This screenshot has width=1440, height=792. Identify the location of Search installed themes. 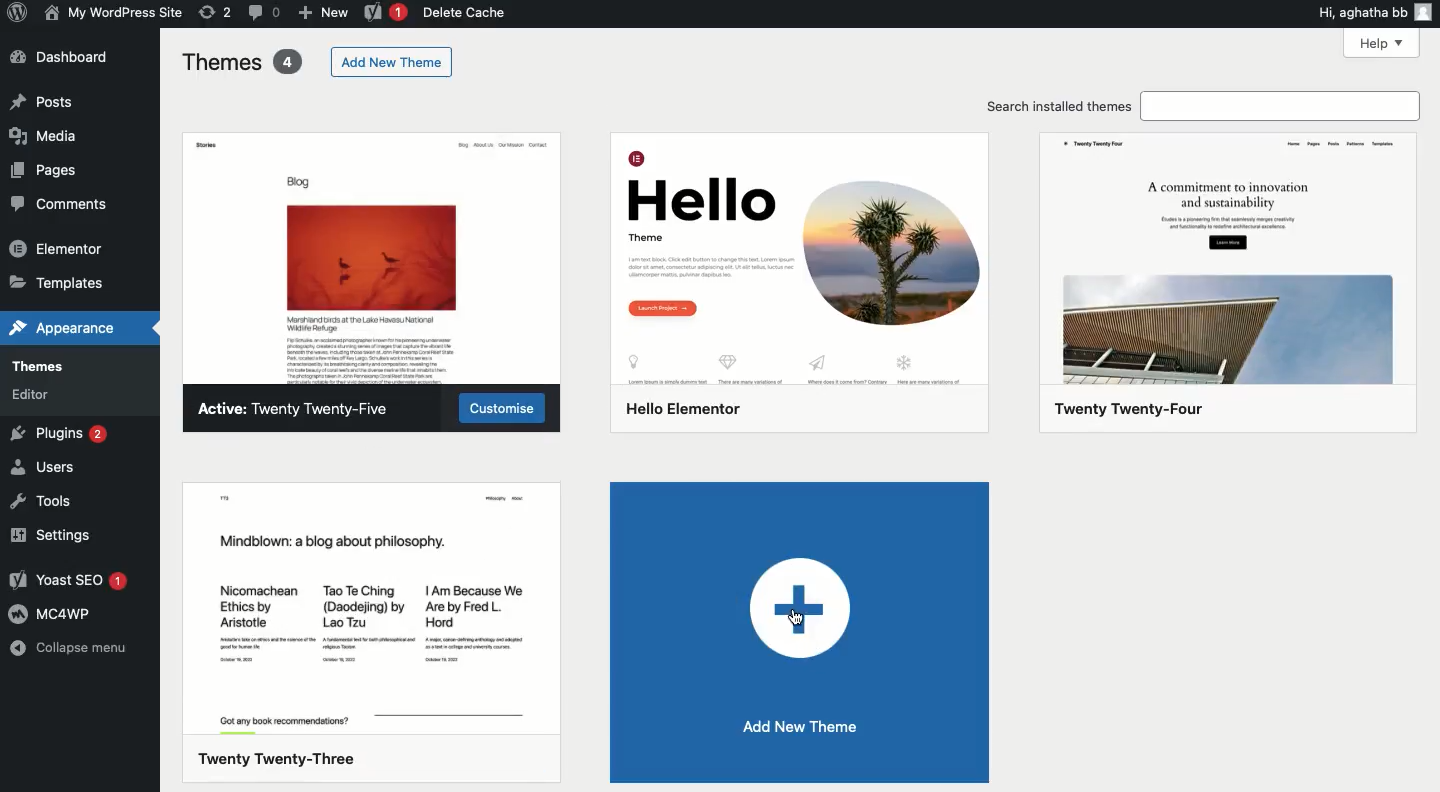
(1202, 107).